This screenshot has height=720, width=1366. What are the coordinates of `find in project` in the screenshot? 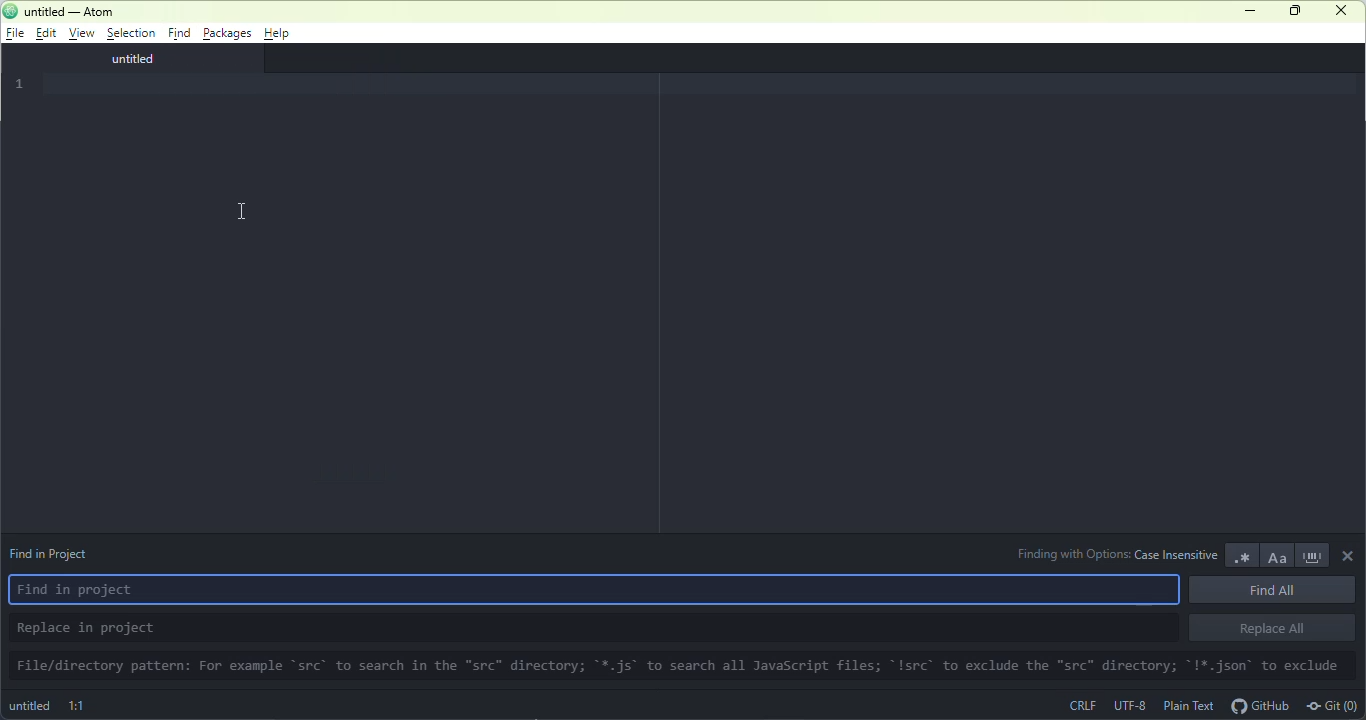 It's located at (59, 555).